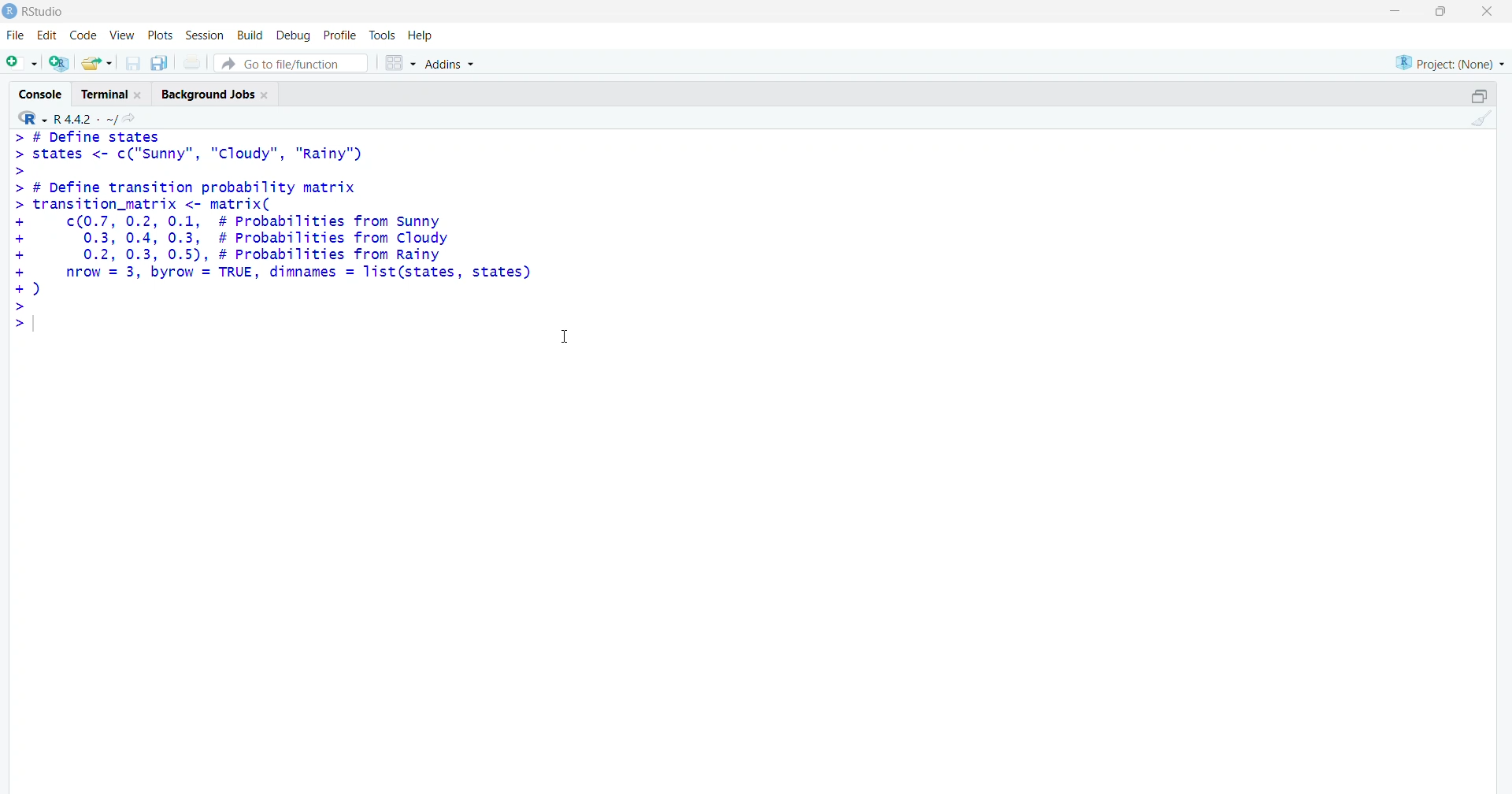 This screenshot has height=794, width=1512. I want to click on save current document, so click(133, 64).